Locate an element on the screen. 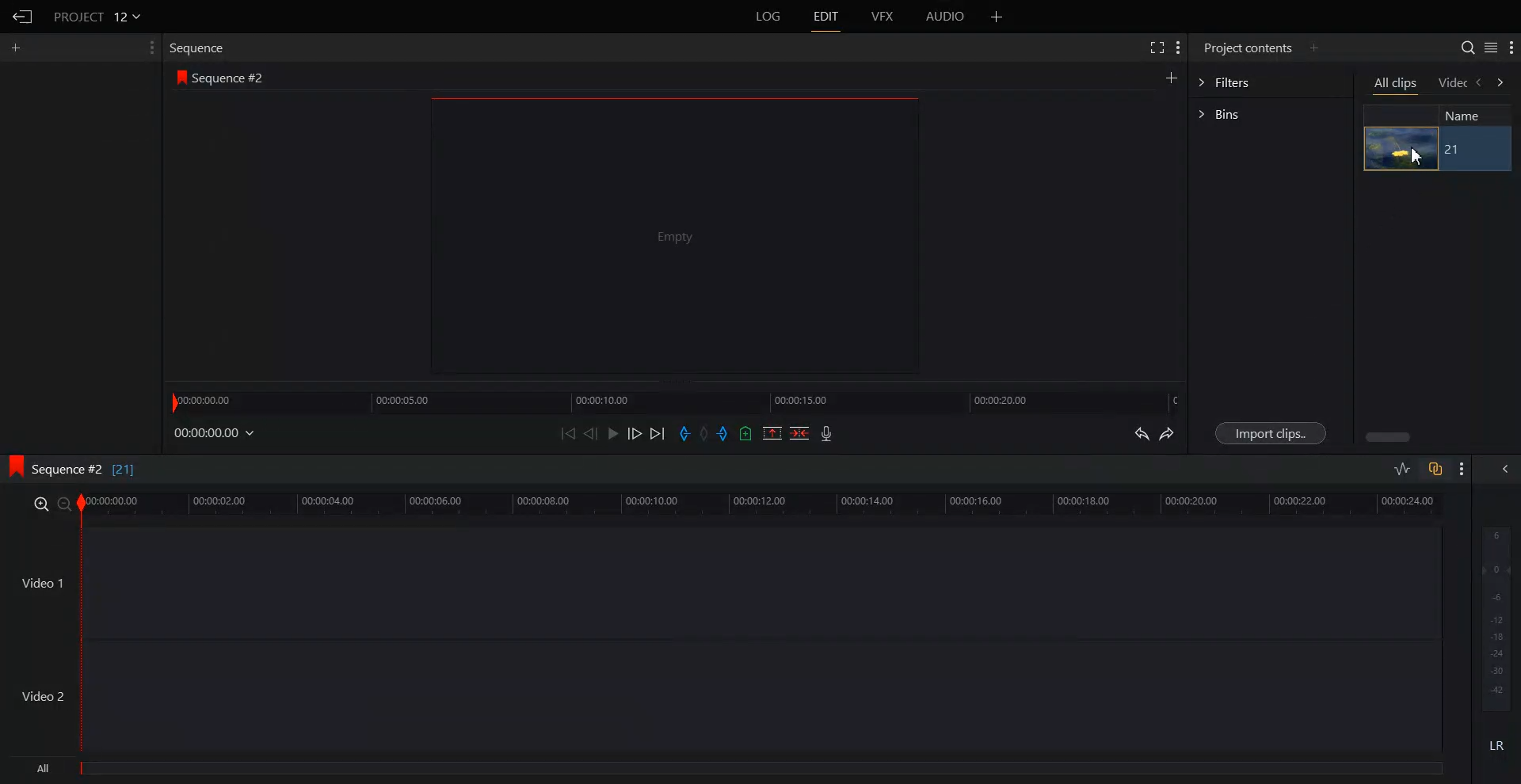  Horizontal Scroll bar is located at coordinates (1386, 437).